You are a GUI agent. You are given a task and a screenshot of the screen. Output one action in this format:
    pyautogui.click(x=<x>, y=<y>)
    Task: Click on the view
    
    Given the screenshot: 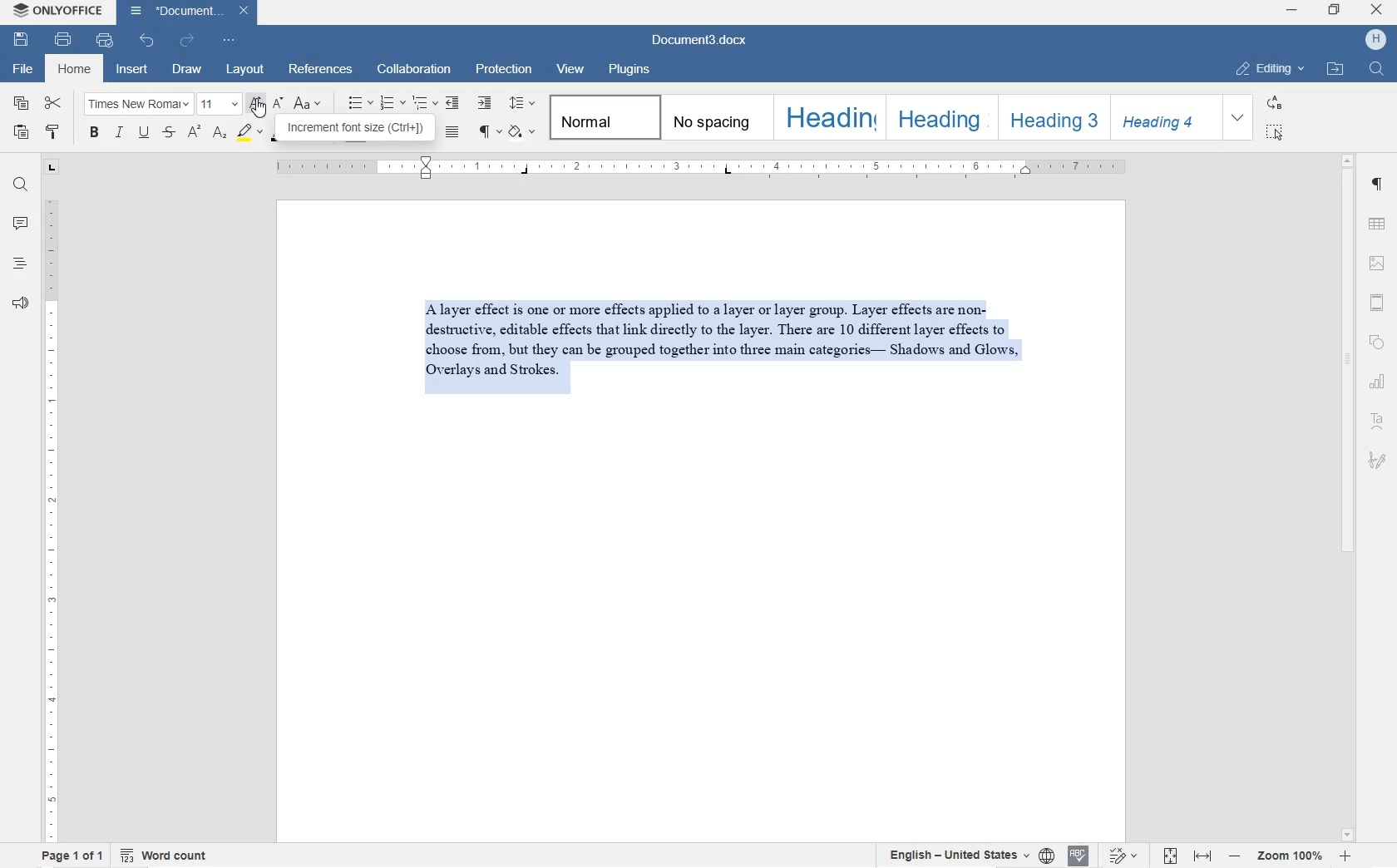 What is the action you would take?
    pyautogui.click(x=570, y=70)
    